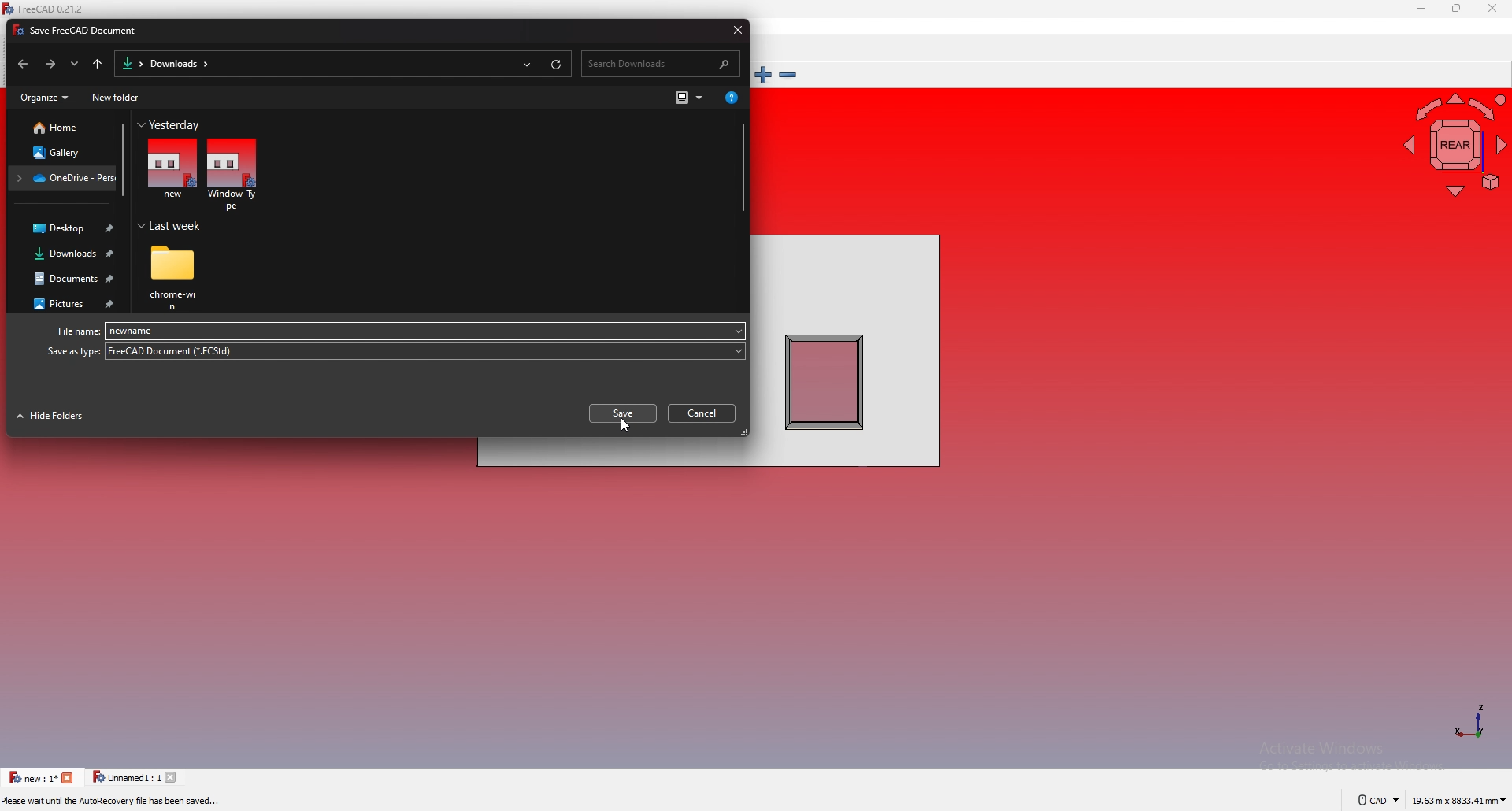 The image size is (1512, 811). What do you see at coordinates (1458, 801) in the screenshot?
I see `dimensions` at bounding box center [1458, 801].